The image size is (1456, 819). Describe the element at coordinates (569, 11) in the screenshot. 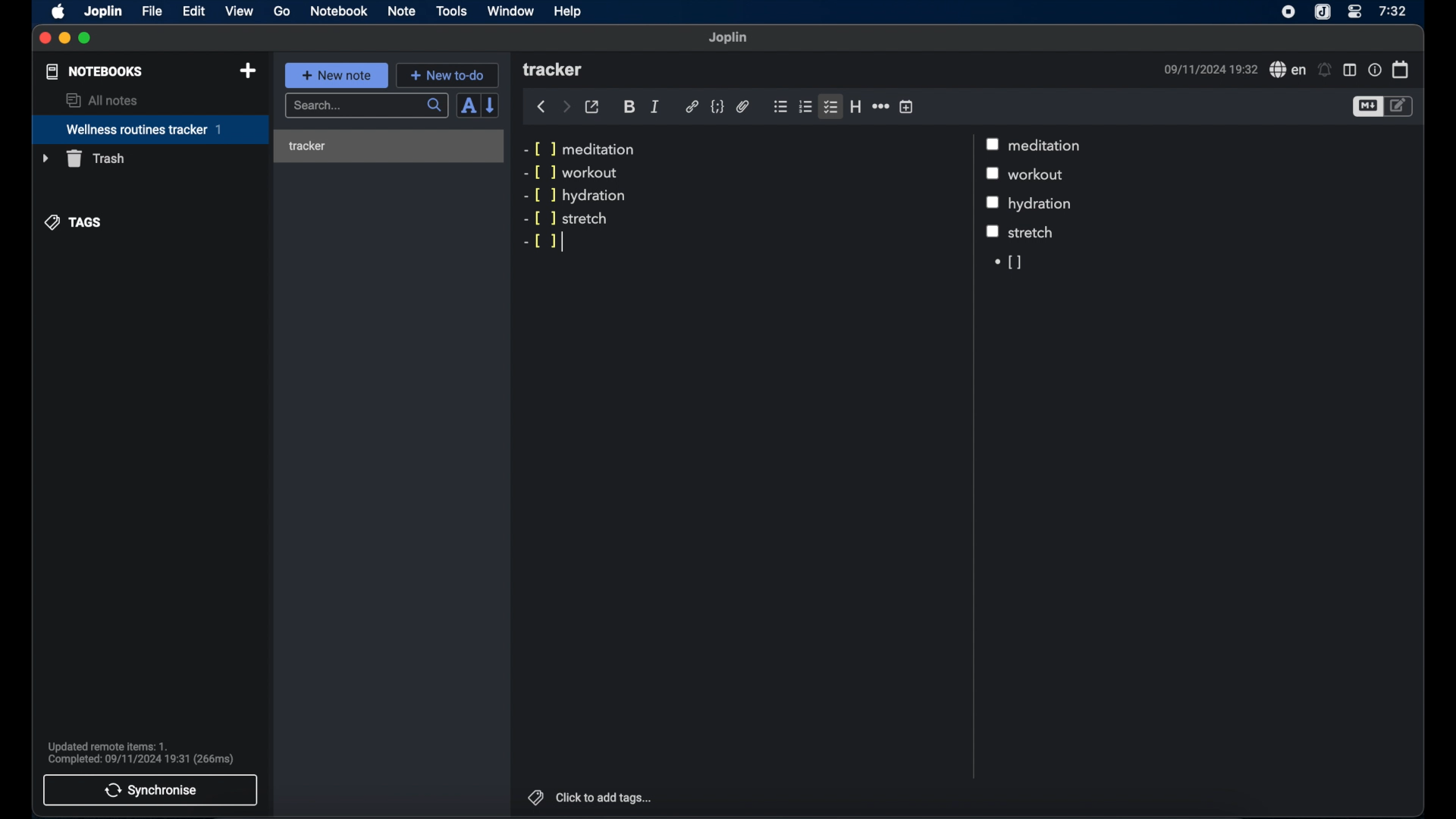

I see `help` at that location.